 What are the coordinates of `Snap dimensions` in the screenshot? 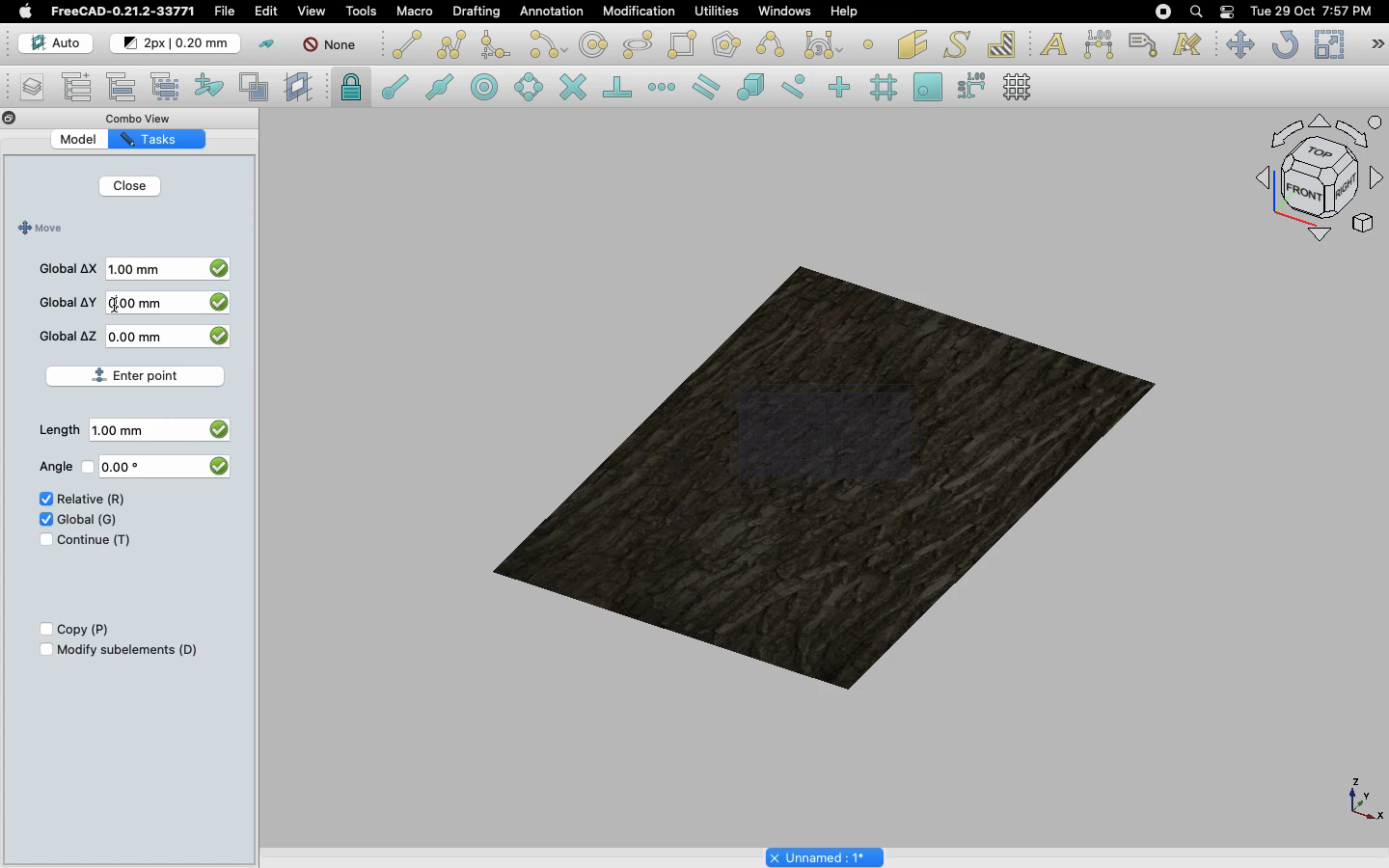 It's located at (972, 87).